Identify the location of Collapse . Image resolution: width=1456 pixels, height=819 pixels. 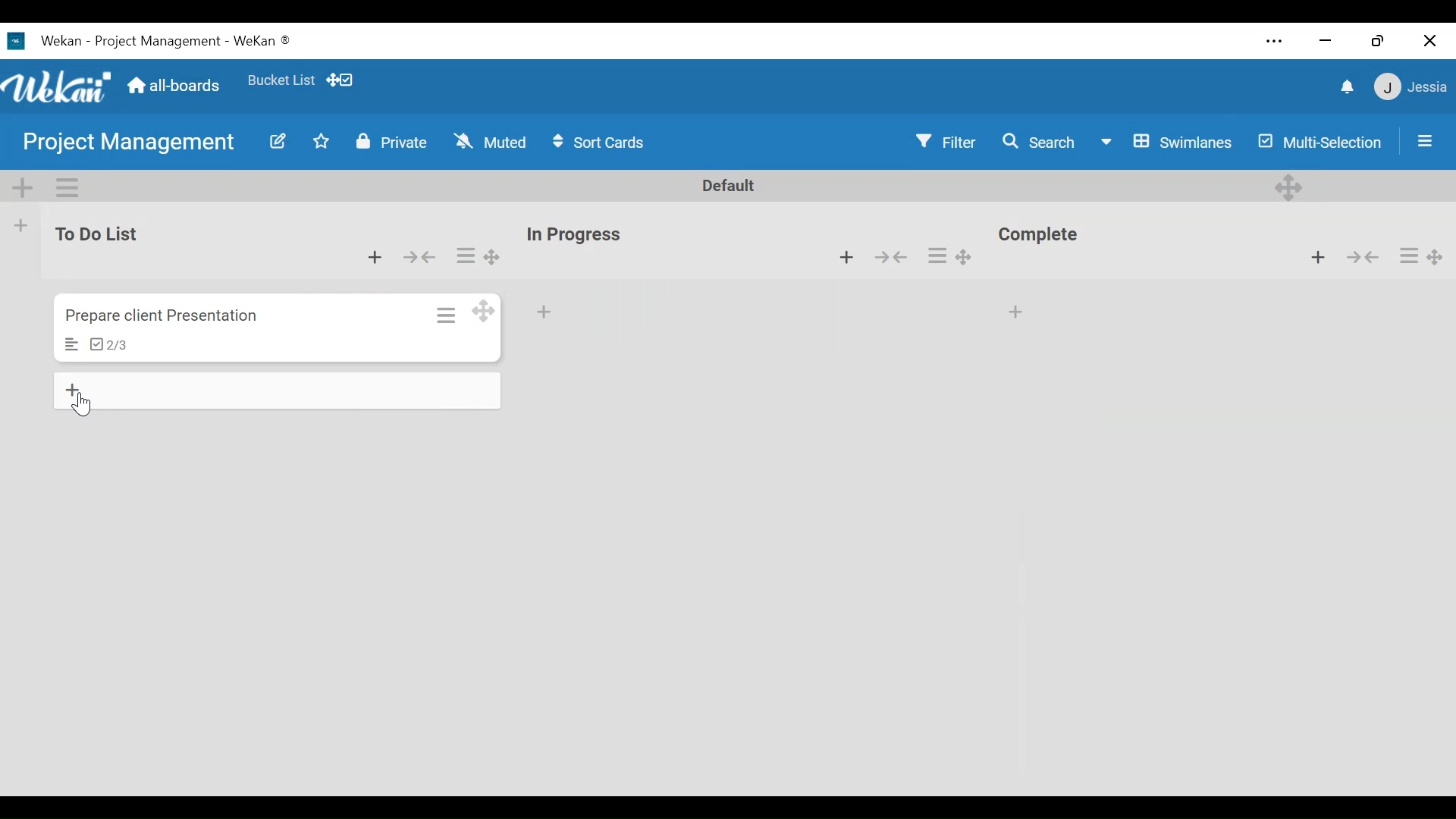
(1362, 257).